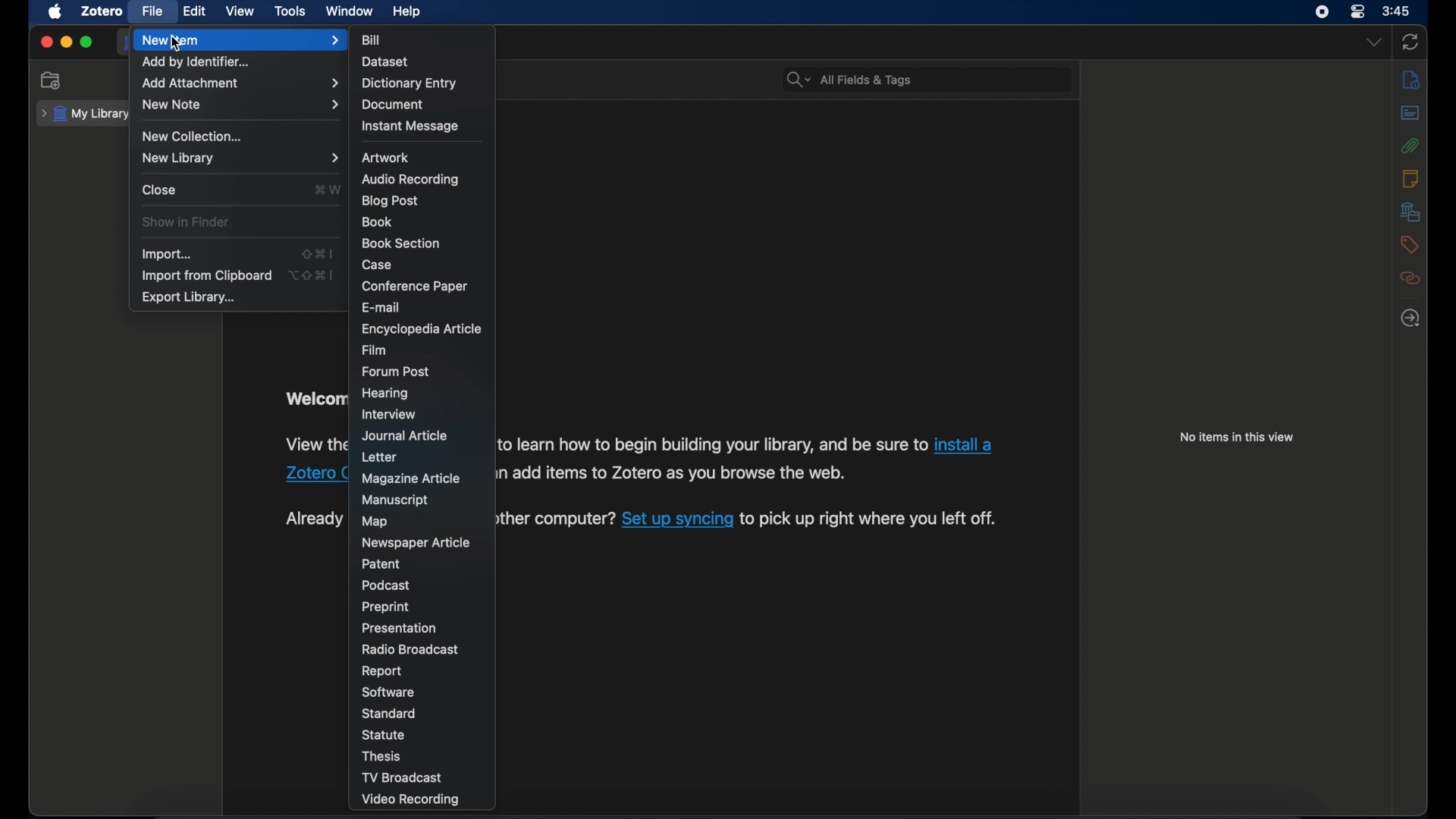  I want to click on minimize, so click(67, 42).